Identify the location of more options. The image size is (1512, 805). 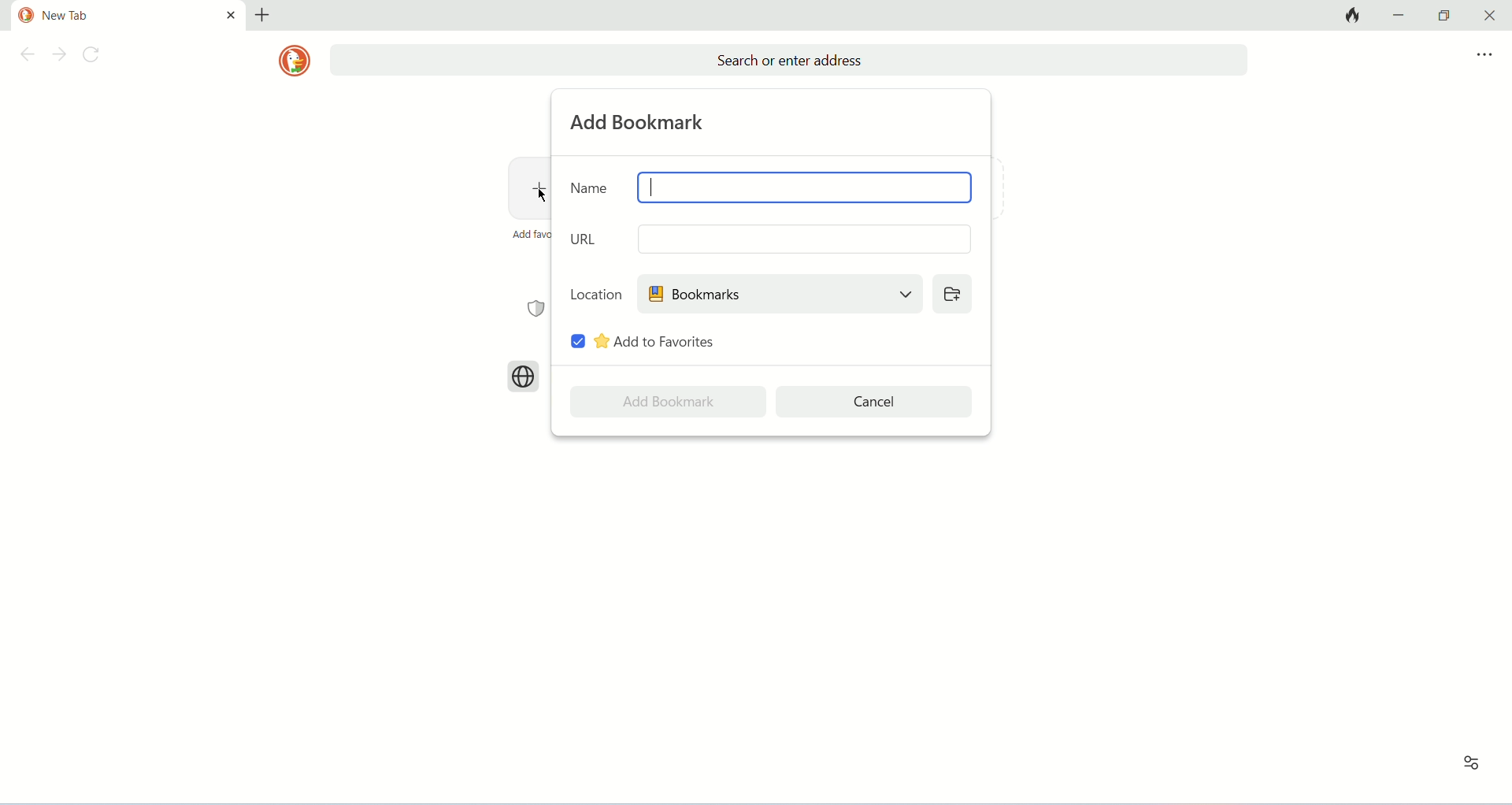
(1484, 55).